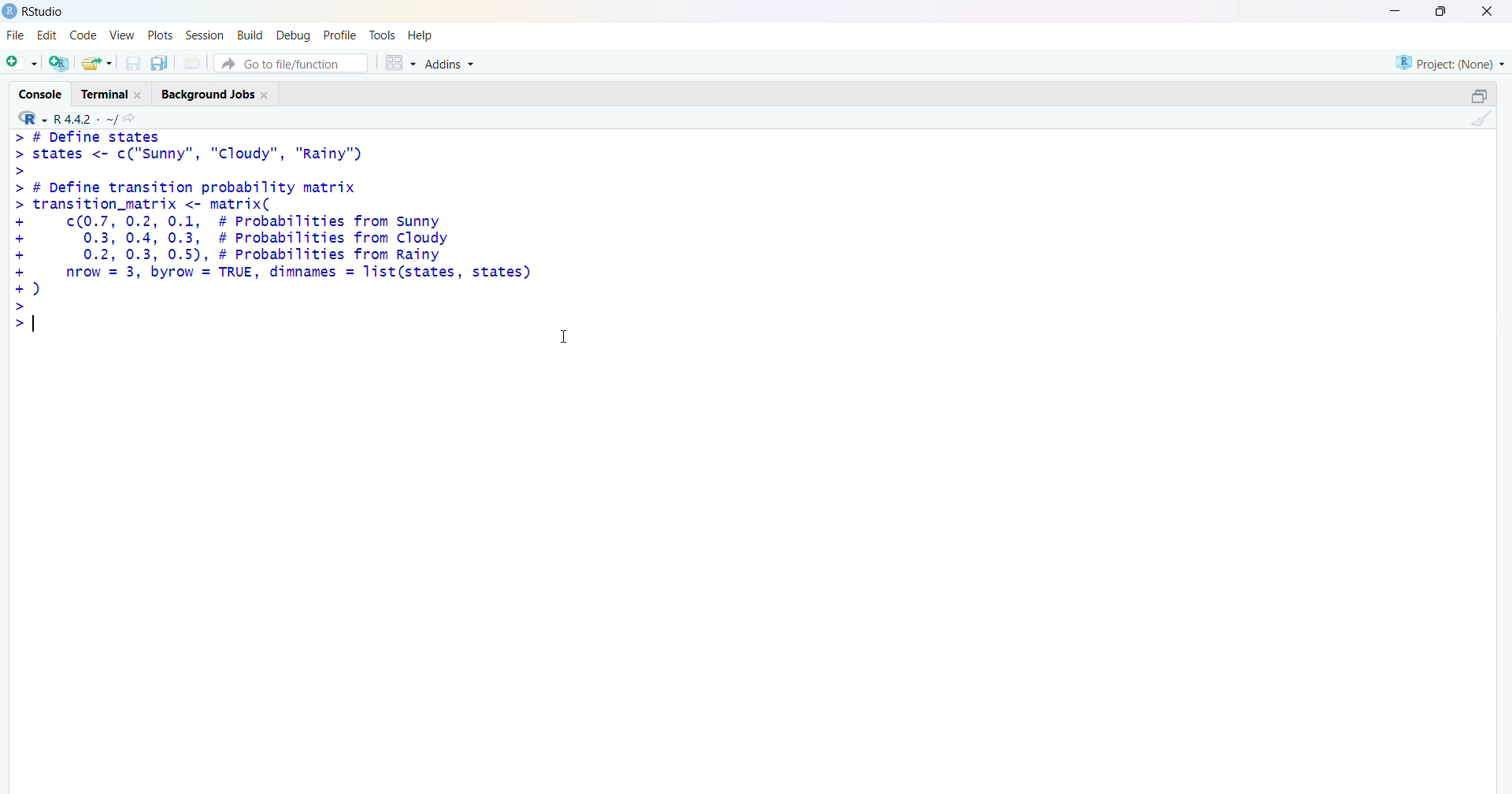 The width and height of the screenshot is (1512, 794). What do you see at coordinates (32, 325) in the screenshot?
I see `text cursor` at bounding box center [32, 325].